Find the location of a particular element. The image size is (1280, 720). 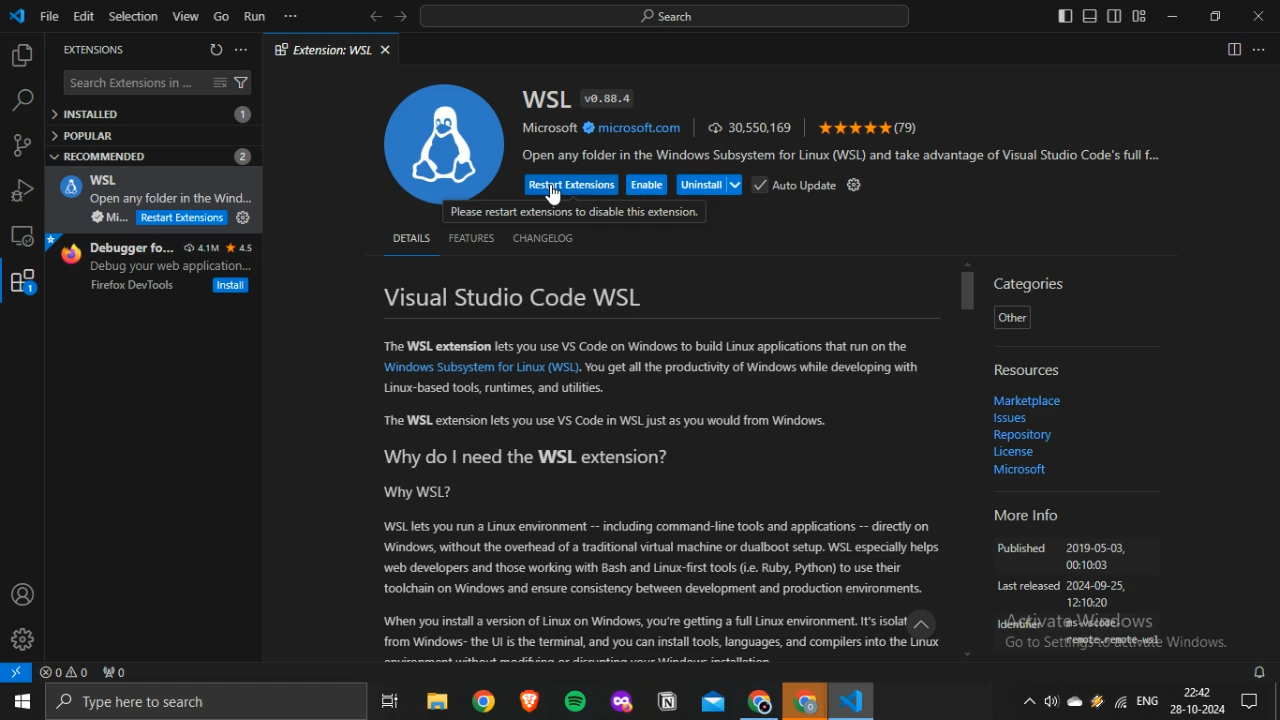

RECOMMENDED is located at coordinates (152, 156).